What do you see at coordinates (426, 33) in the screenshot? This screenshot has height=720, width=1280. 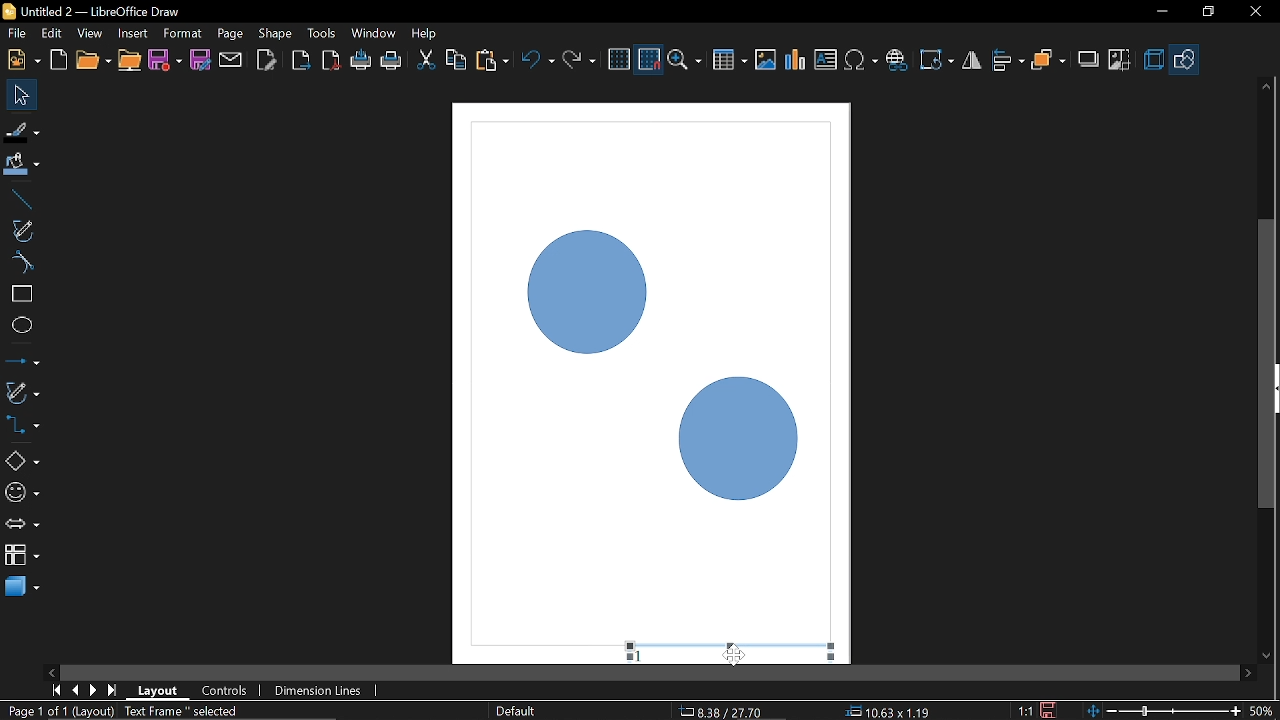 I see `Help` at bounding box center [426, 33].